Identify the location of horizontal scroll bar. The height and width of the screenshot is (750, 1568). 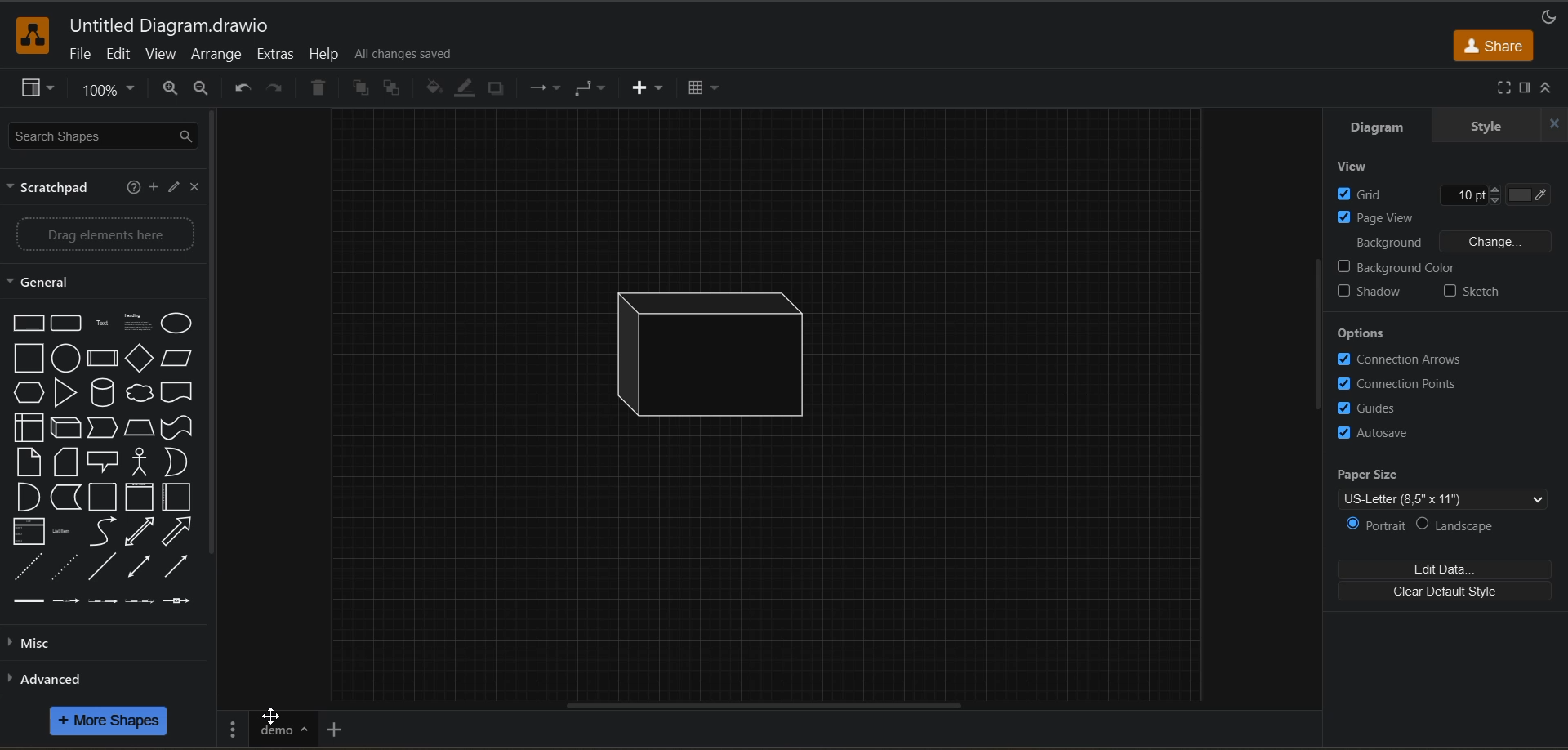
(764, 706).